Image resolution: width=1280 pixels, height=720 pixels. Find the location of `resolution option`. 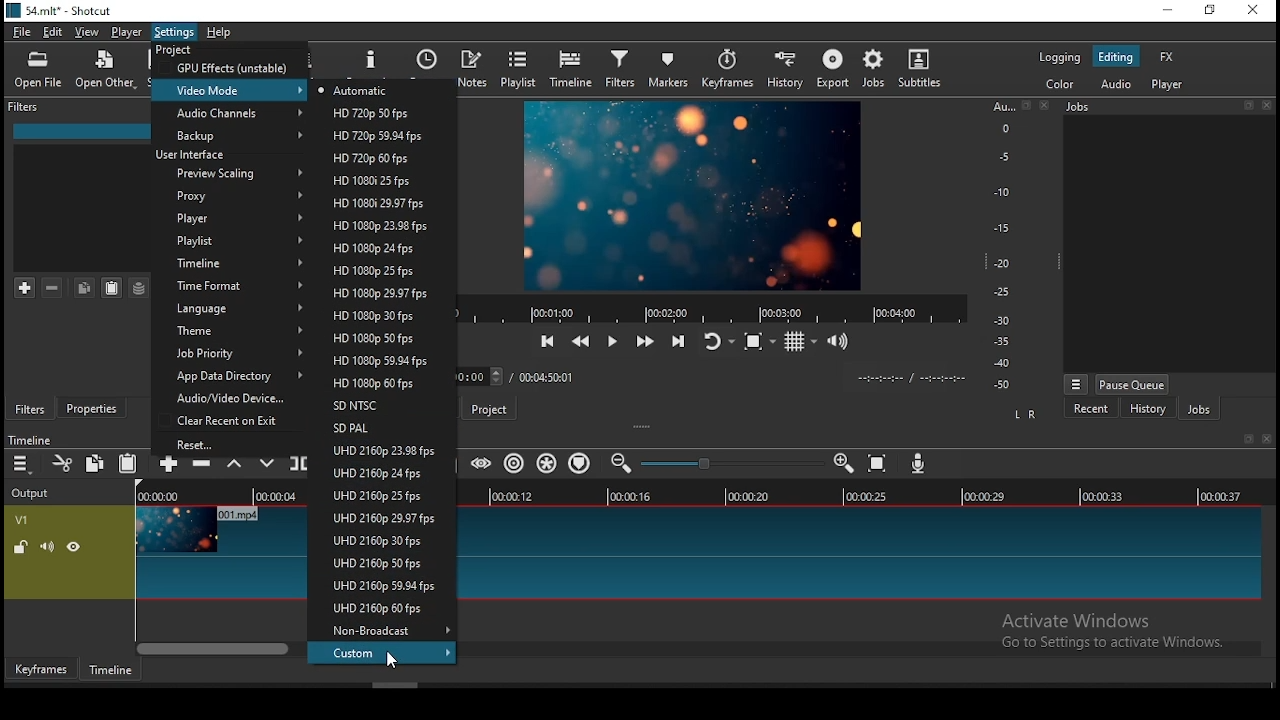

resolution option is located at coordinates (376, 181).